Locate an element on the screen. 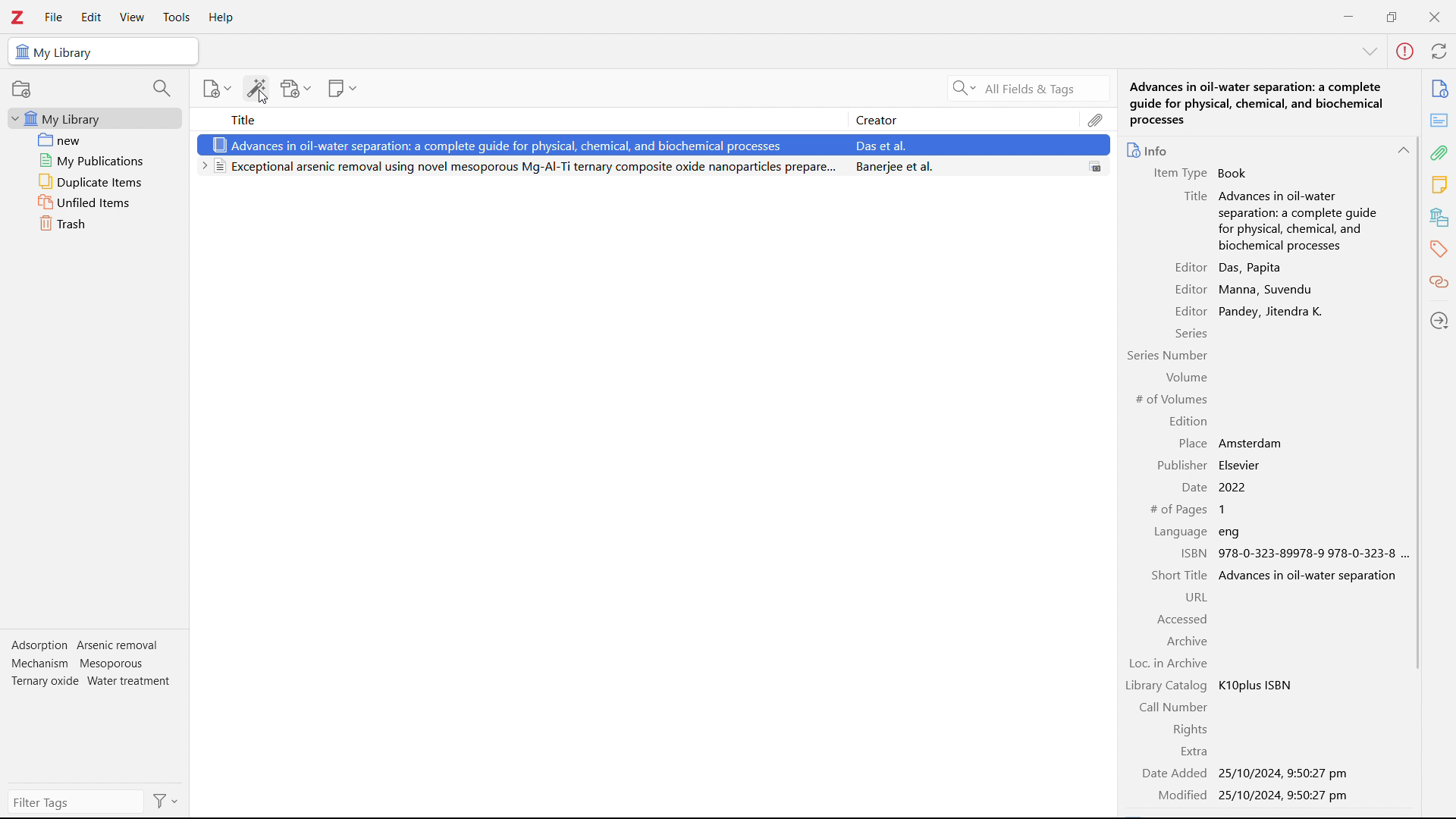  help is located at coordinates (221, 18).